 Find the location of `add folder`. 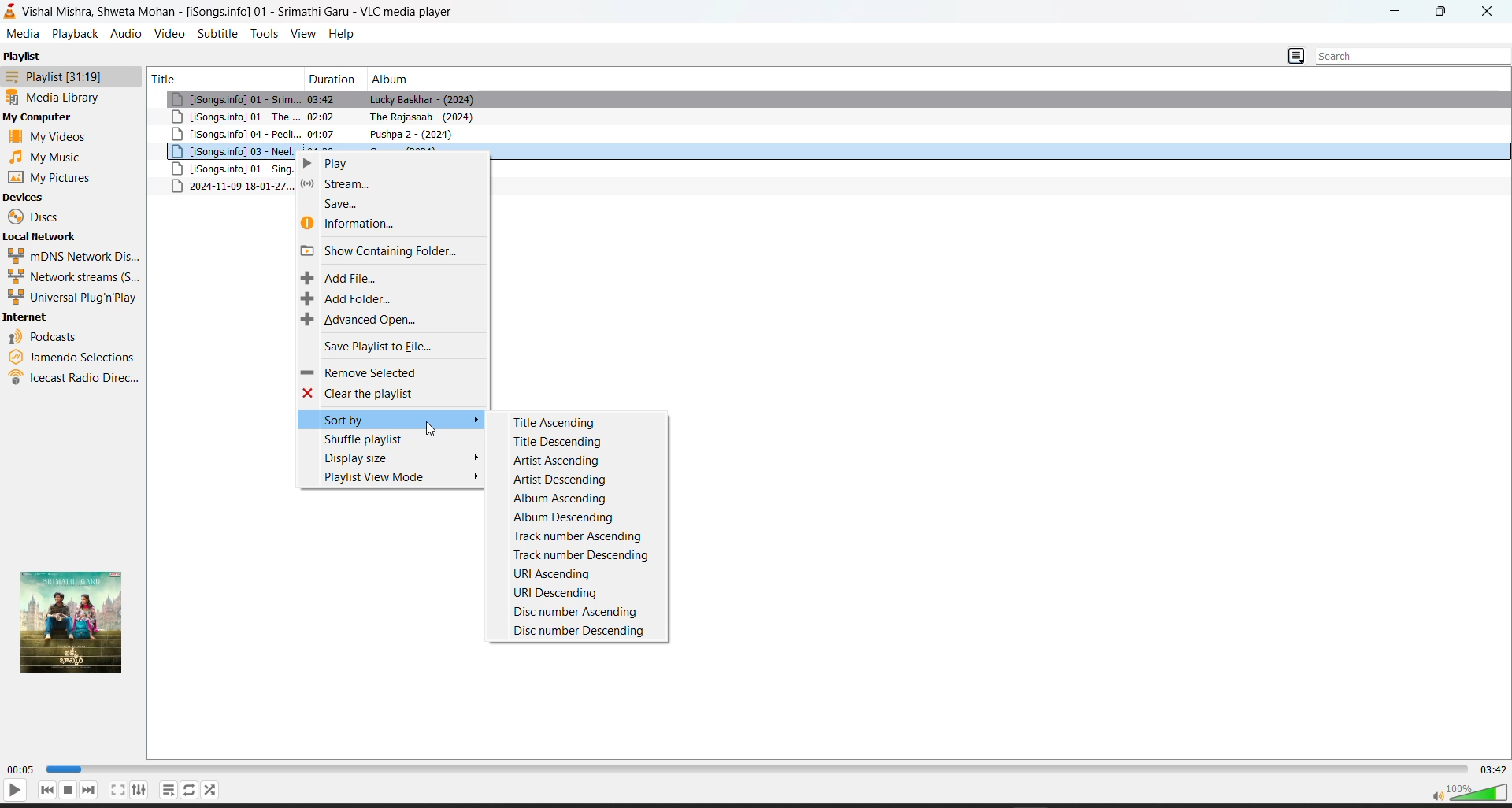

add folder is located at coordinates (392, 298).